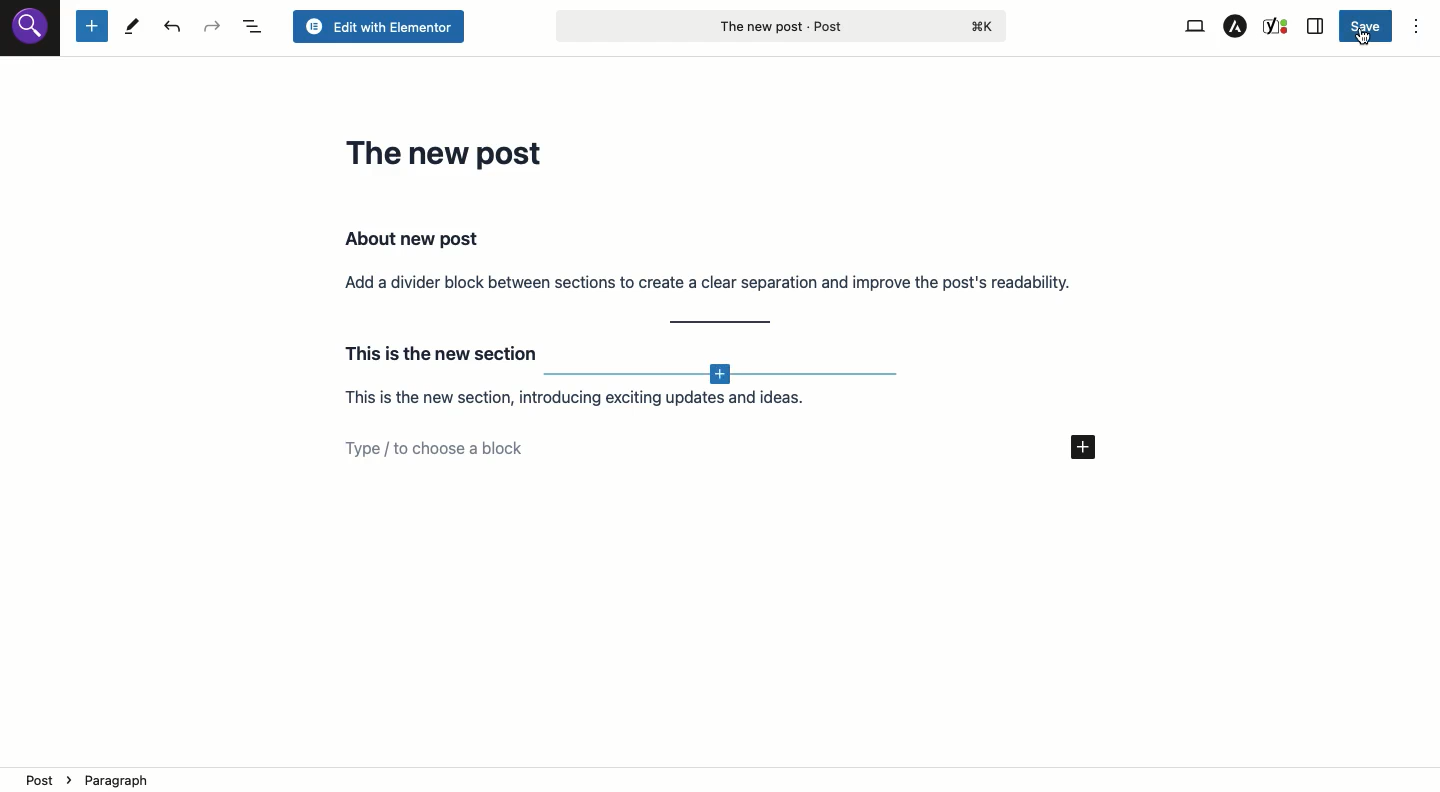 This screenshot has width=1440, height=792. Describe the element at coordinates (1277, 25) in the screenshot. I see `Yoast` at that location.